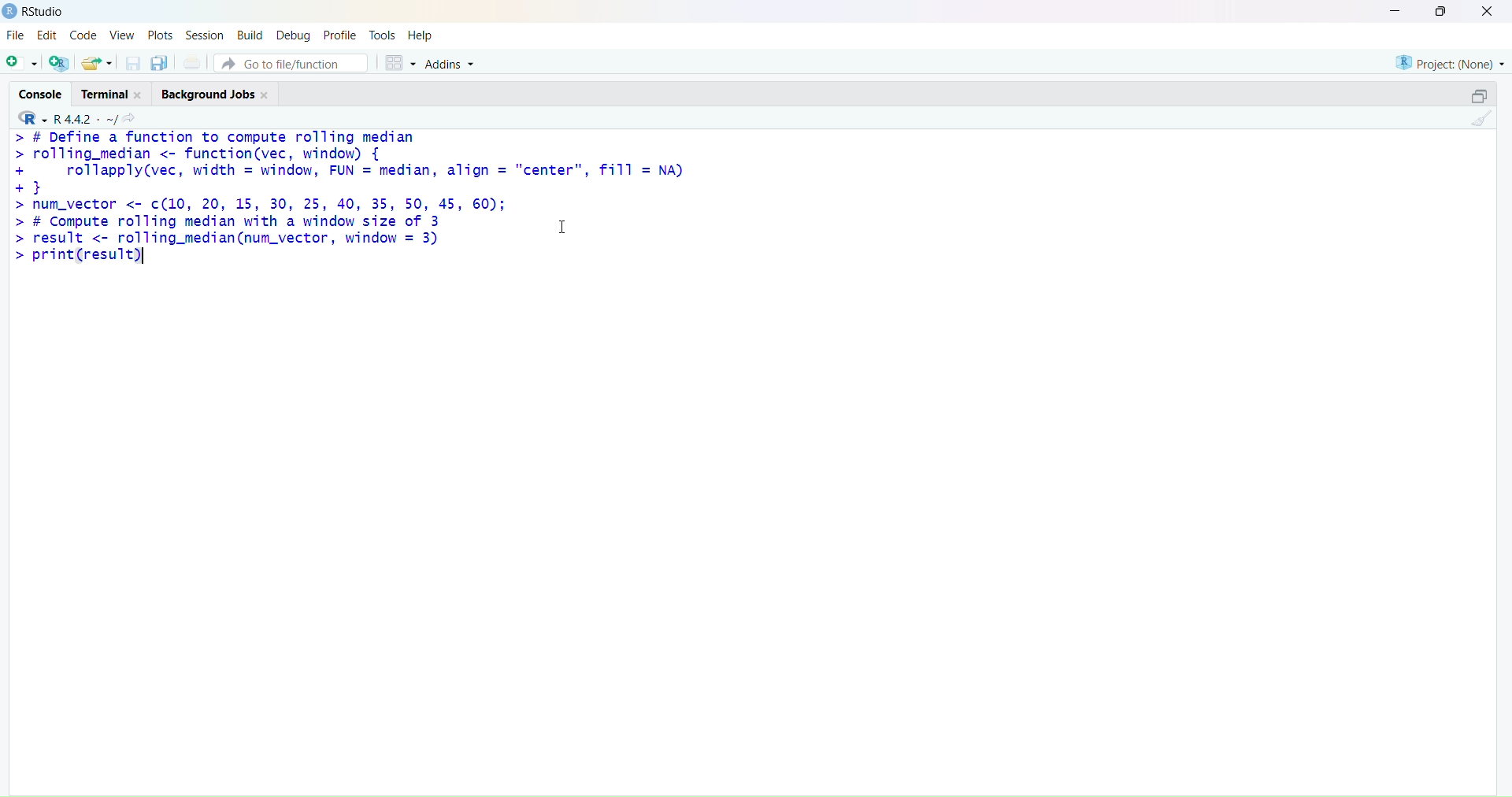  What do you see at coordinates (104, 95) in the screenshot?
I see `terminal` at bounding box center [104, 95].